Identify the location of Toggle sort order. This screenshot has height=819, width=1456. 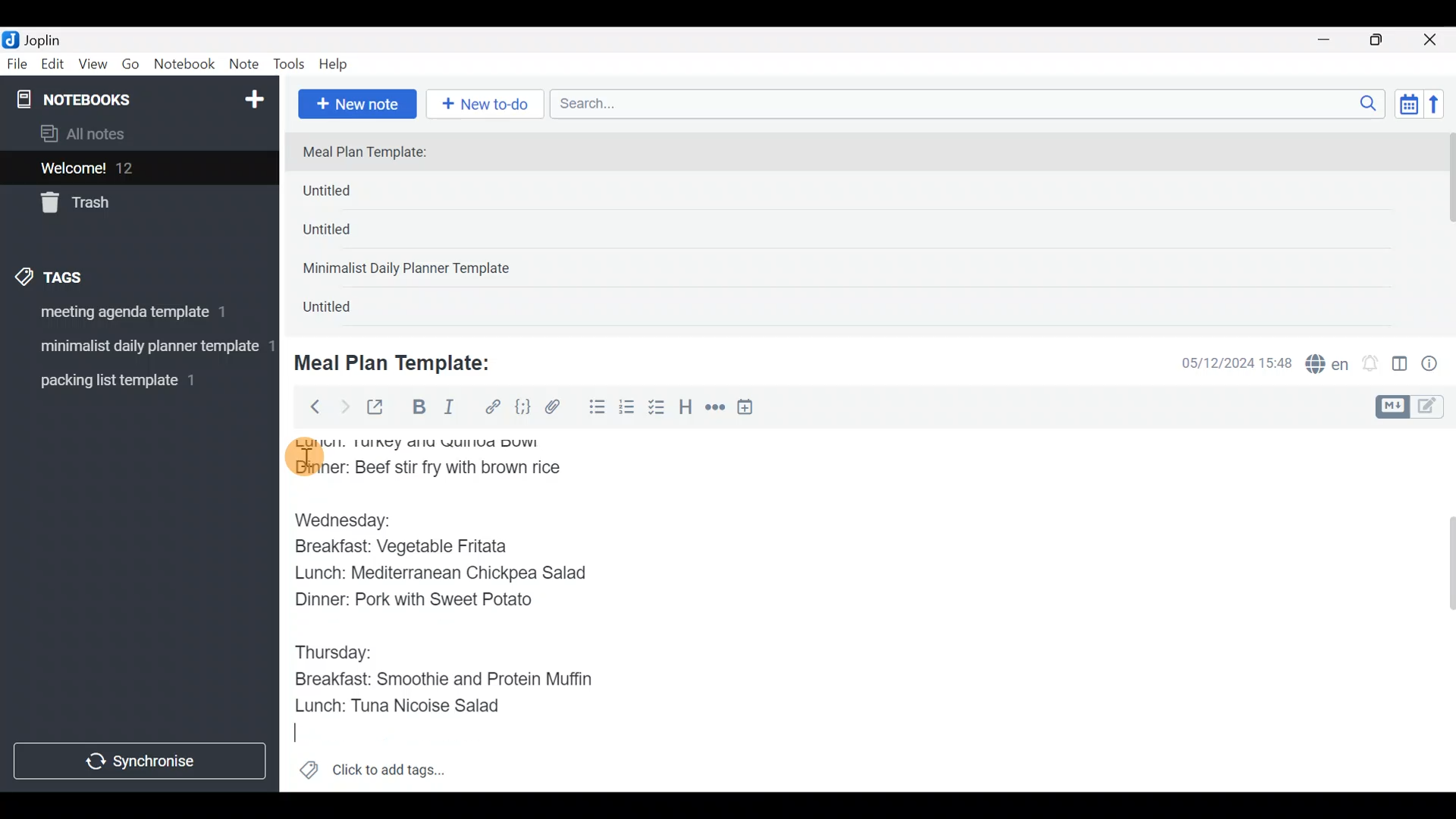
(1408, 105).